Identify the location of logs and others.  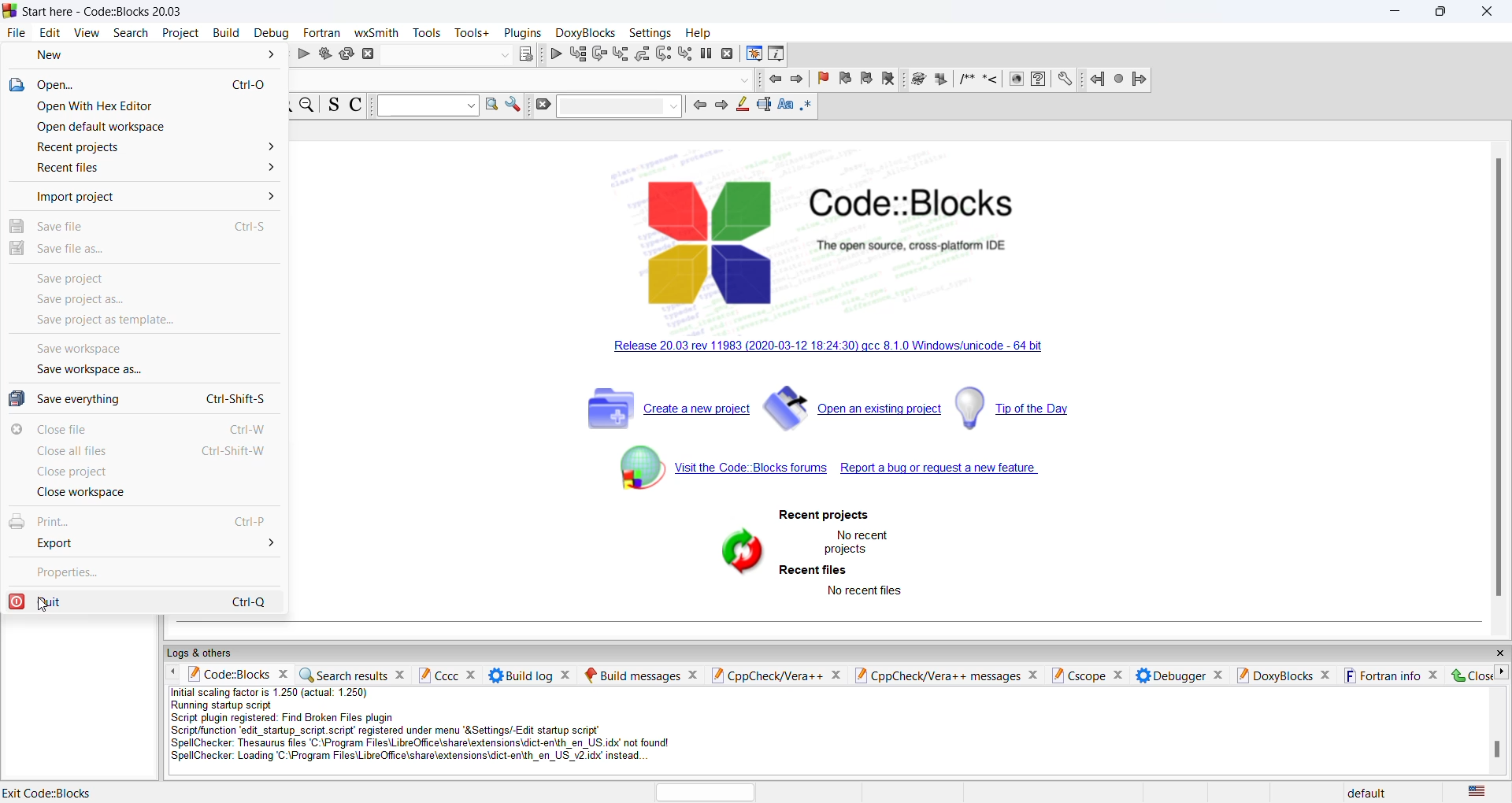
(207, 653).